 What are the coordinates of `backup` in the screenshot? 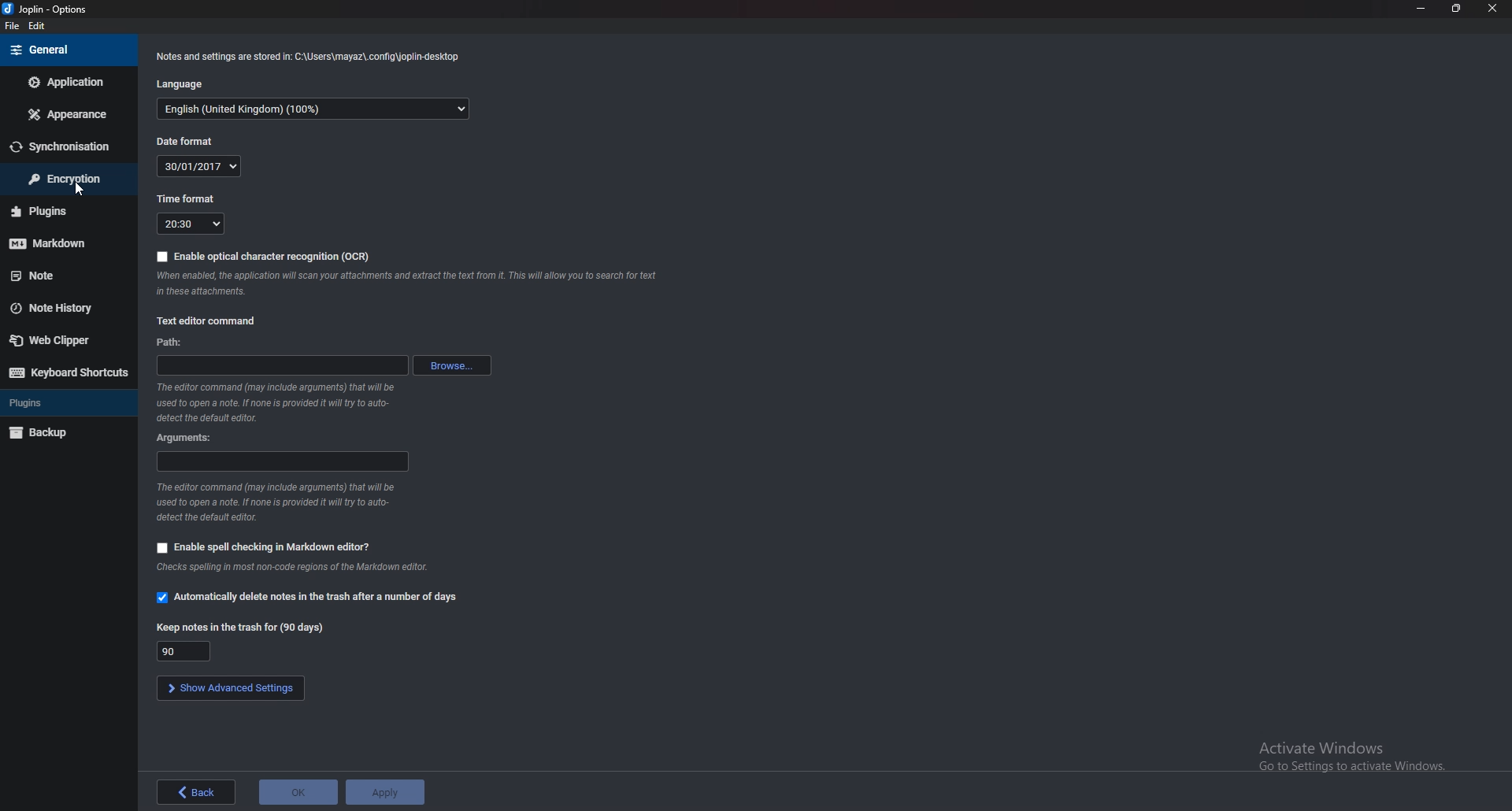 It's located at (64, 434).